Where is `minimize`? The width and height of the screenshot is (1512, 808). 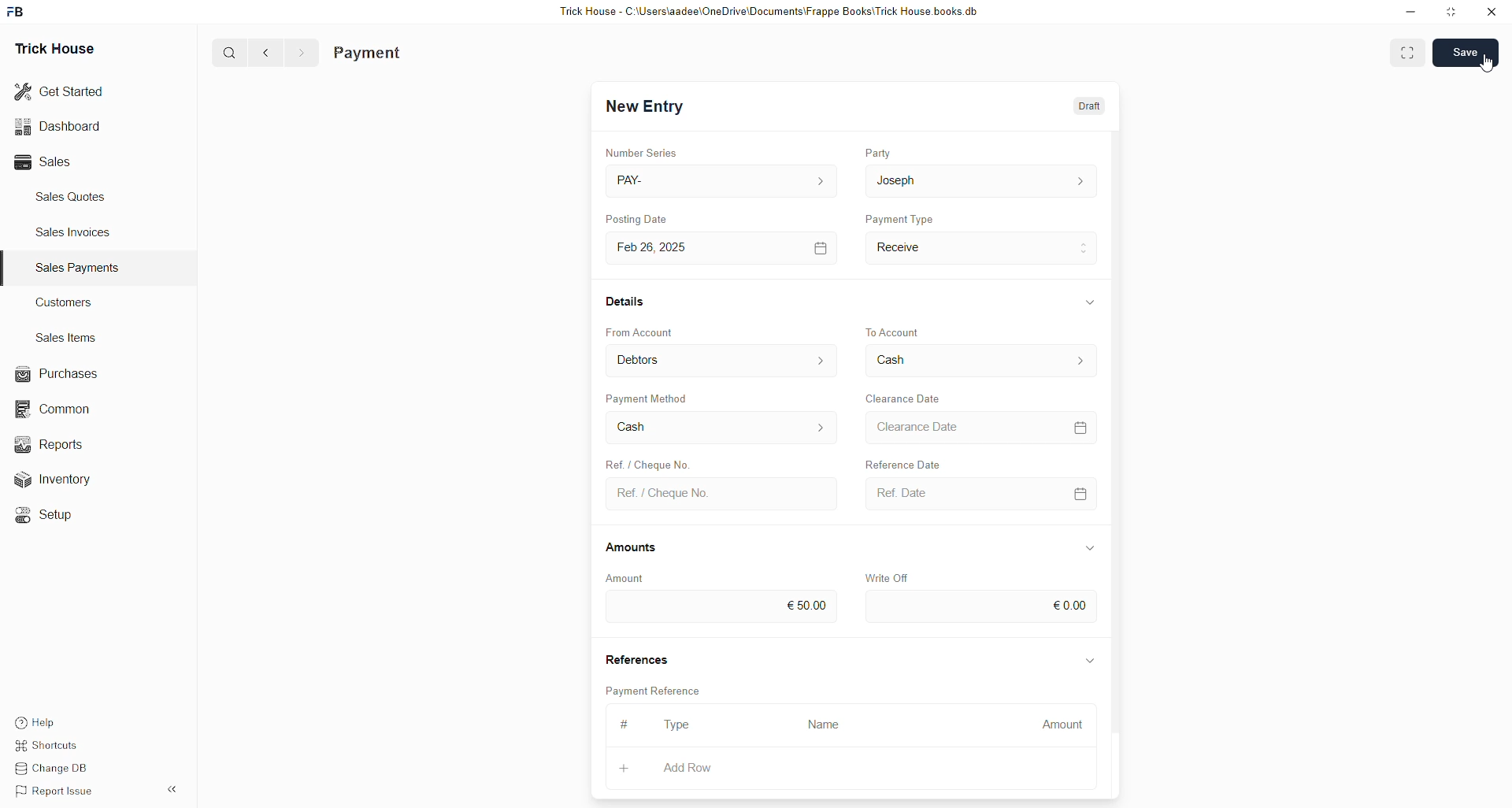
minimize is located at coordinates (1411, 13).